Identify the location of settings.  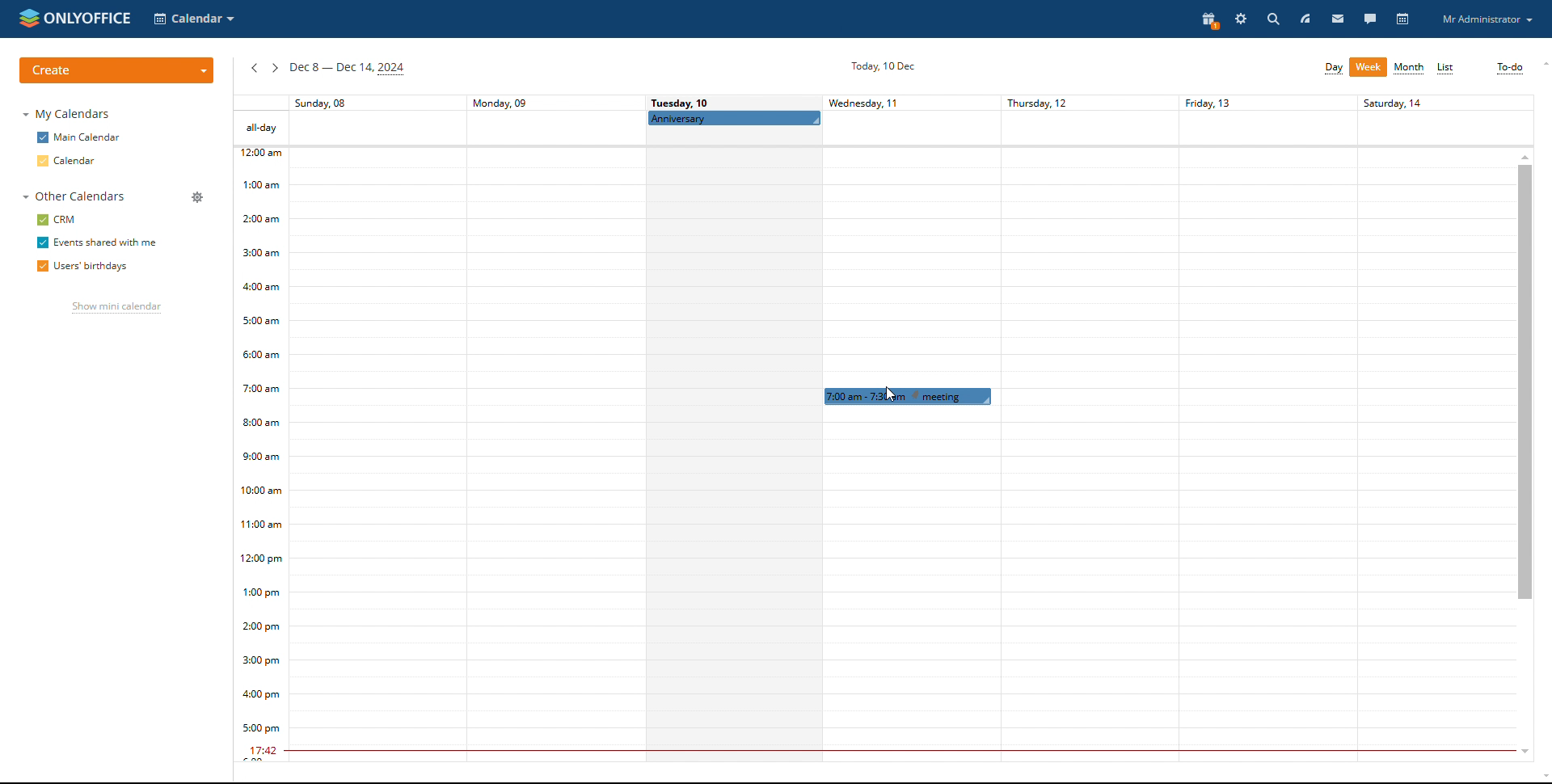
(1242, 20).